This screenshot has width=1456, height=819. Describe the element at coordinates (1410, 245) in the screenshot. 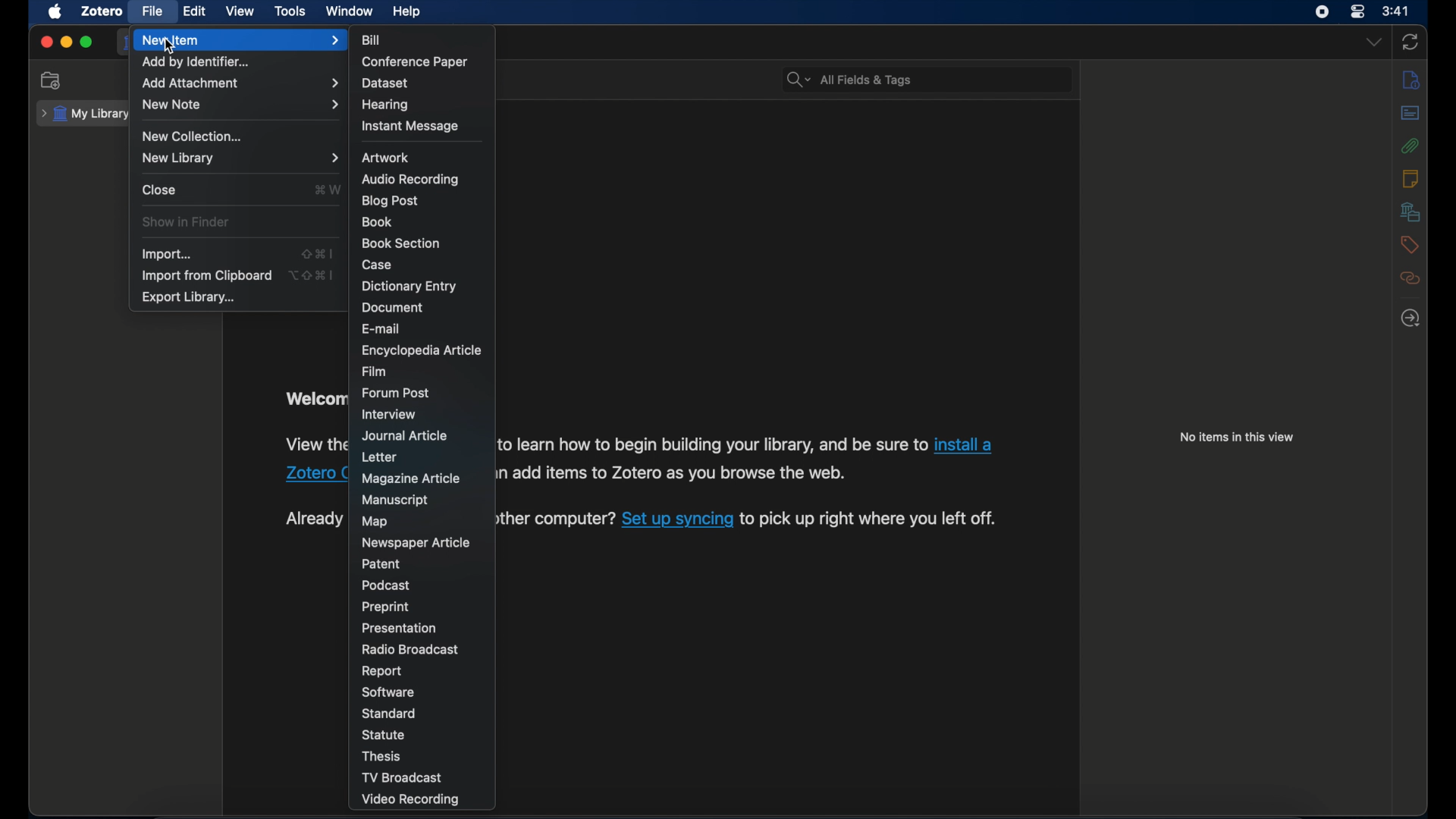

I see `tags` at that location.